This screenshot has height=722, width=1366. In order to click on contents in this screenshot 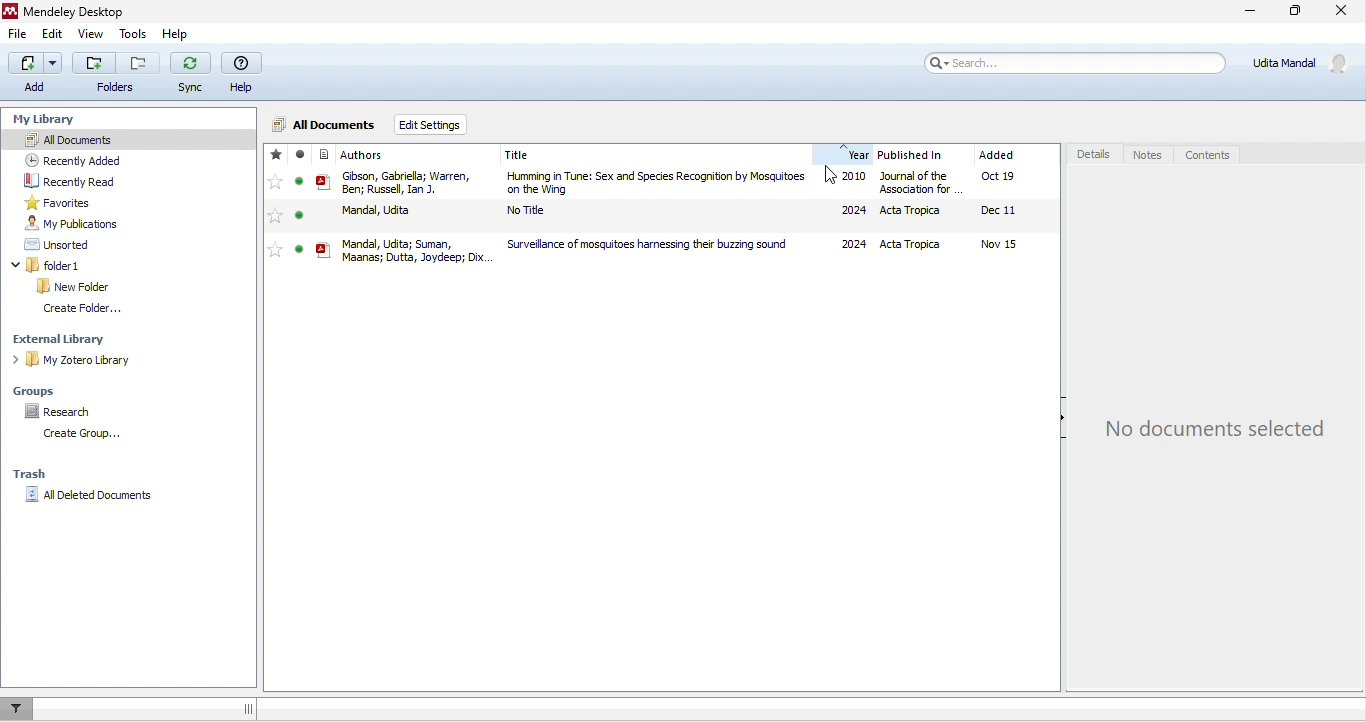, I will do `click(1205, 155)`.